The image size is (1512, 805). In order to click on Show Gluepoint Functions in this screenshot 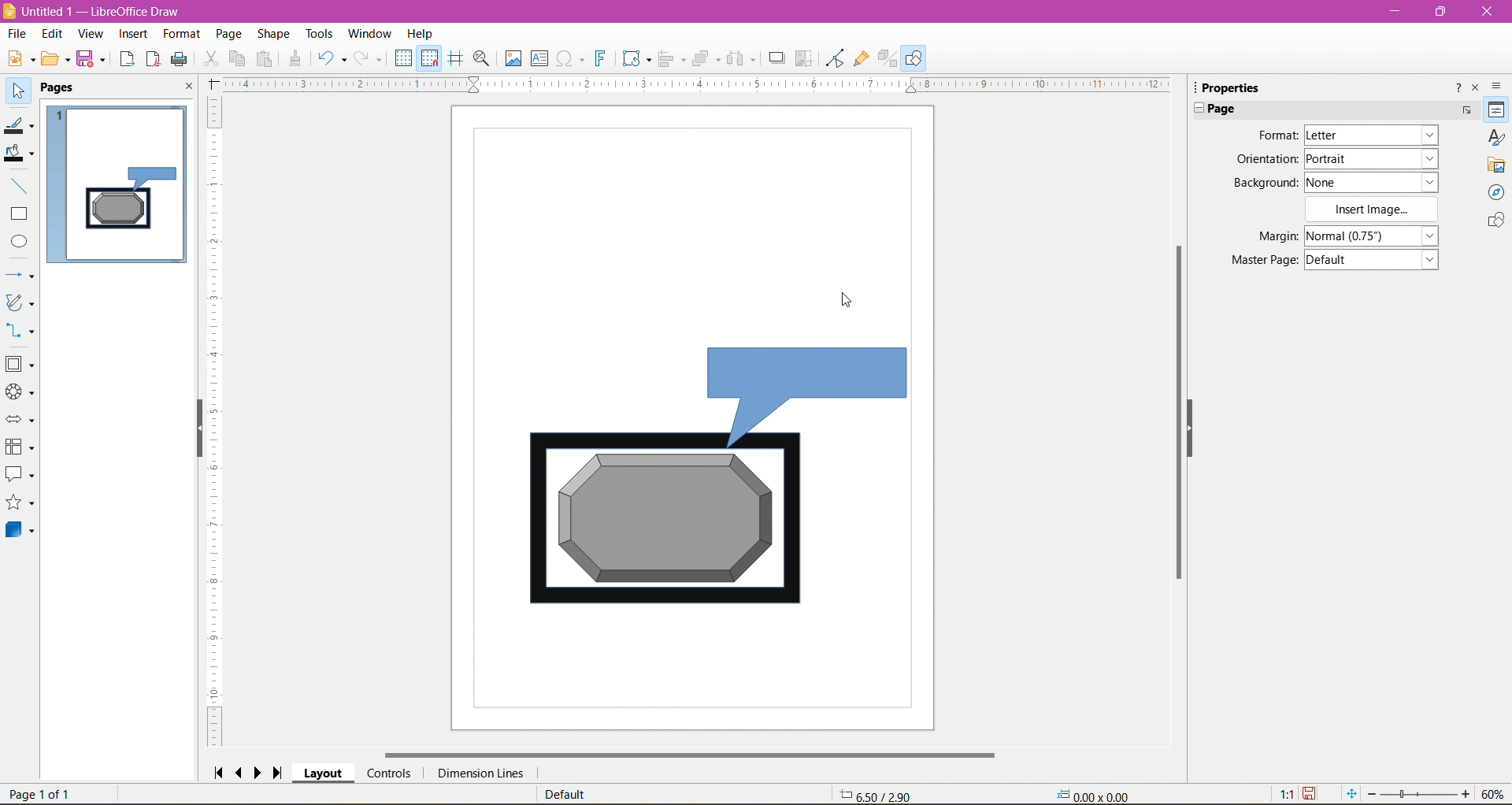, I will do `click(861, 58)`.